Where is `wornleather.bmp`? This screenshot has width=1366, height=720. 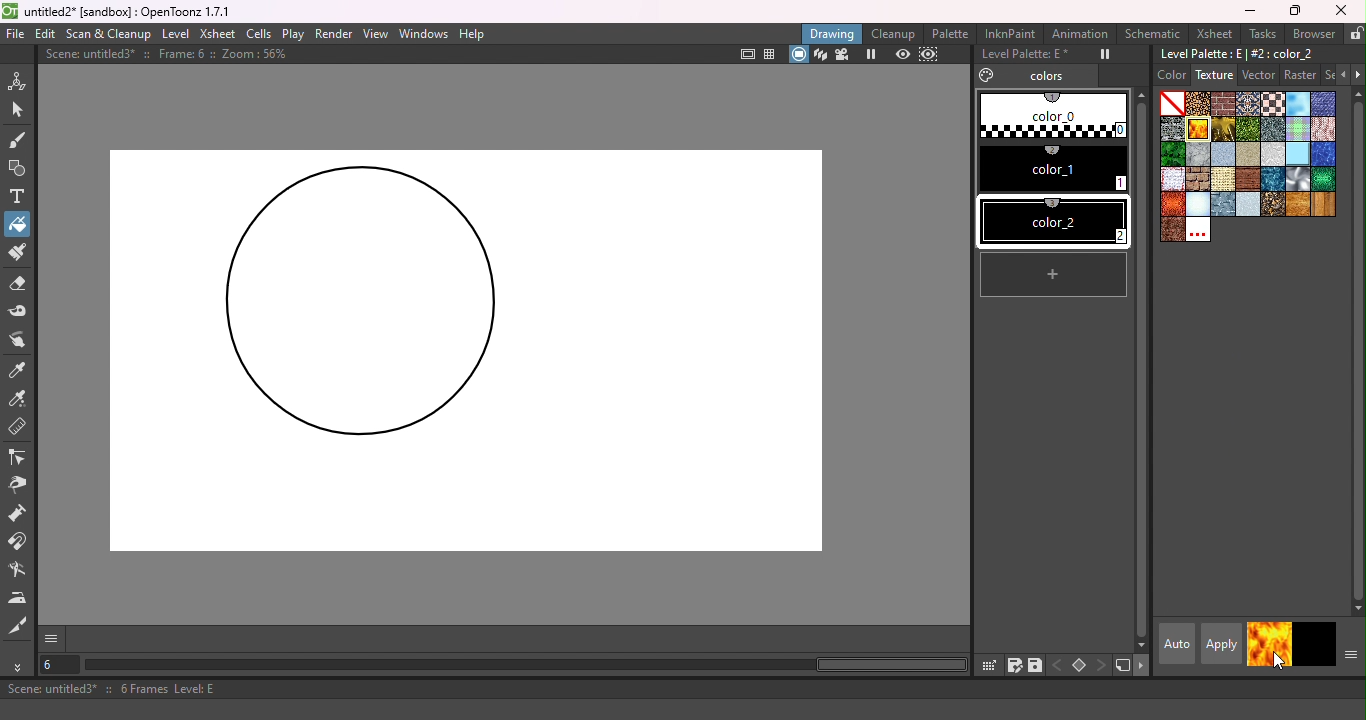
wornleather.bmp is located at coordinates (1174, 231).